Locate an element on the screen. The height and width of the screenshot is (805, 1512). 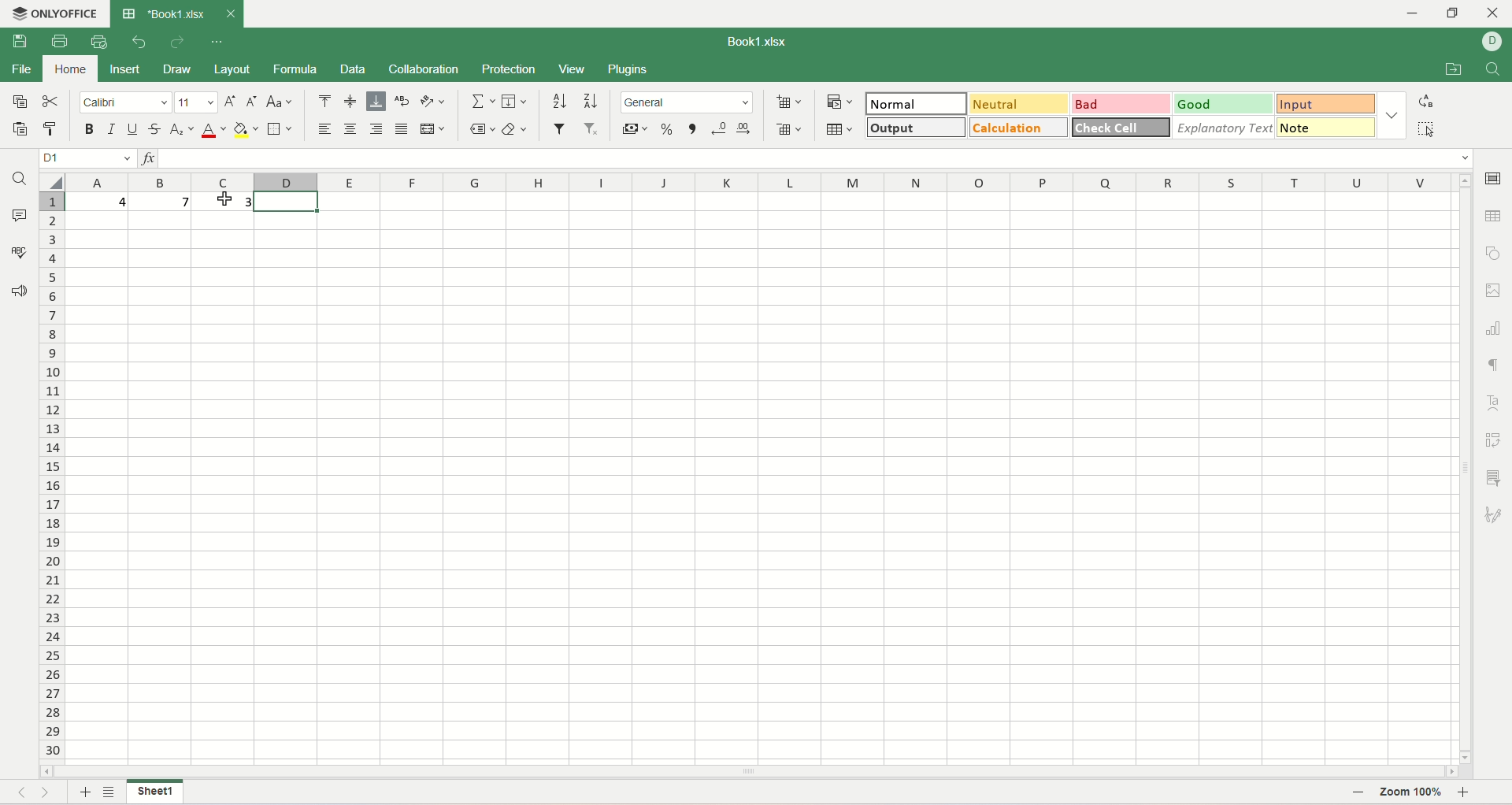
decrease decimal is located at coordinates (720, 129).